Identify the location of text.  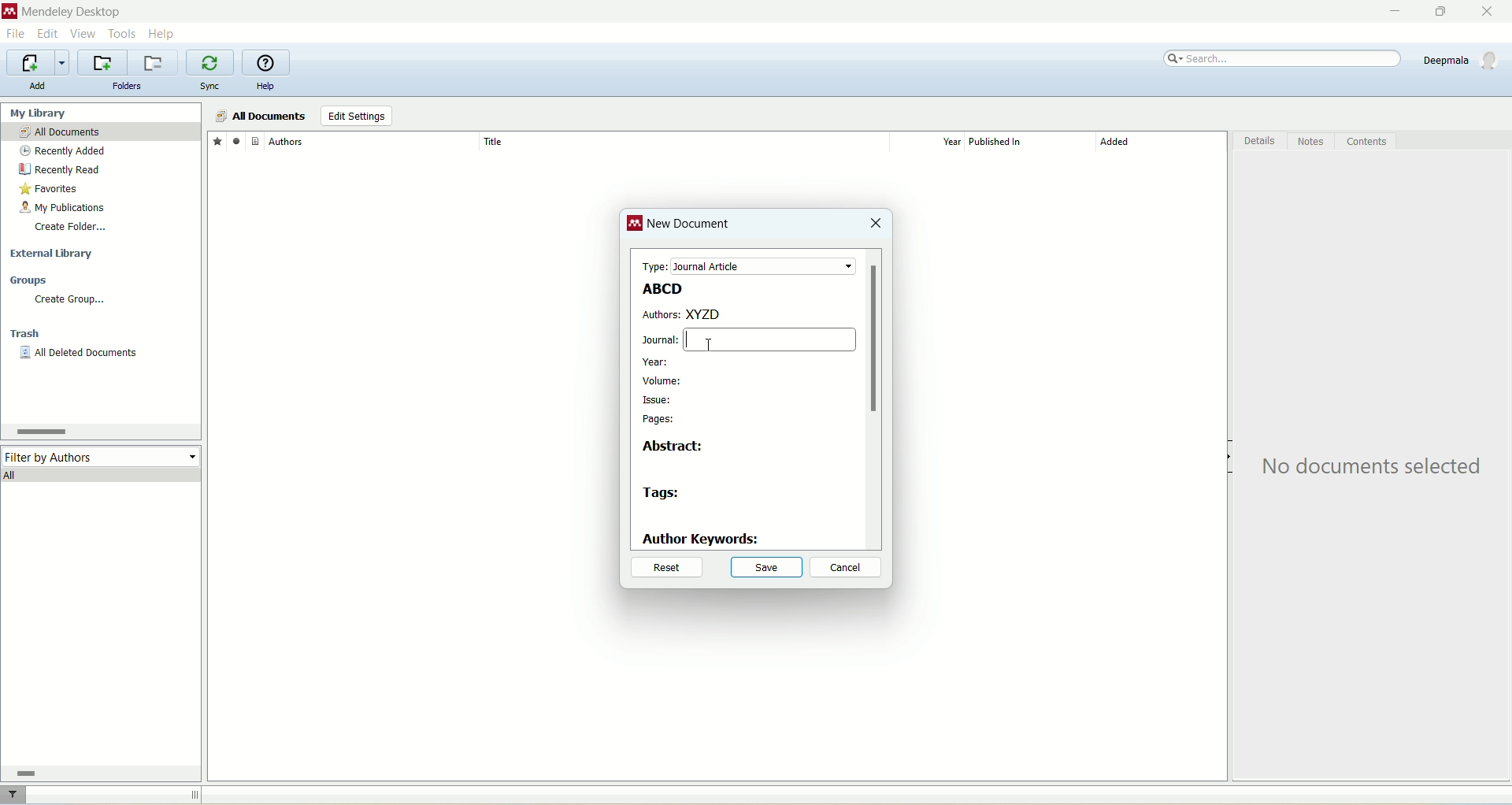
(1376, 467).